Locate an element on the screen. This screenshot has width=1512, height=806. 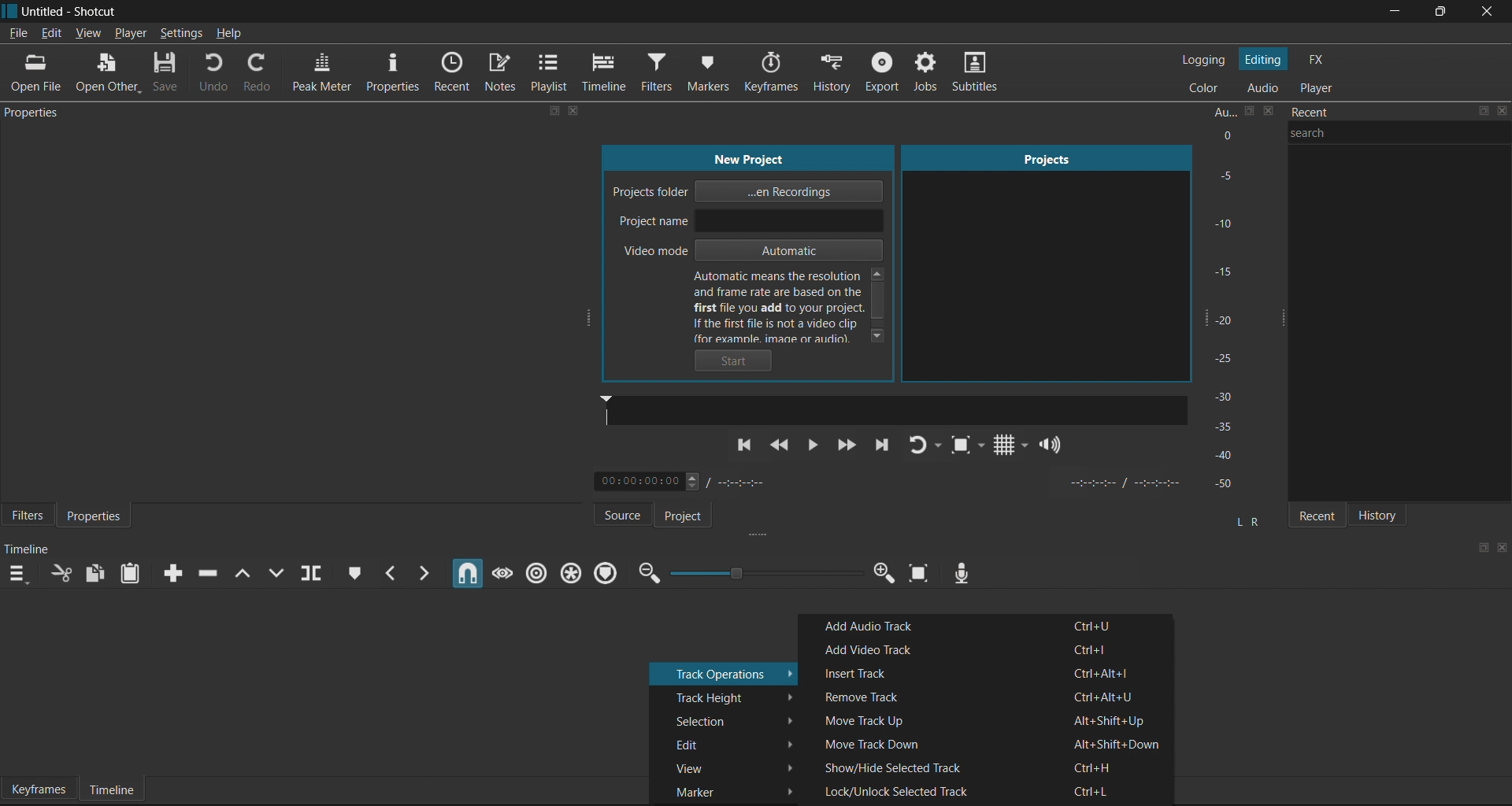
maximize is located at coordinates (555, 112).